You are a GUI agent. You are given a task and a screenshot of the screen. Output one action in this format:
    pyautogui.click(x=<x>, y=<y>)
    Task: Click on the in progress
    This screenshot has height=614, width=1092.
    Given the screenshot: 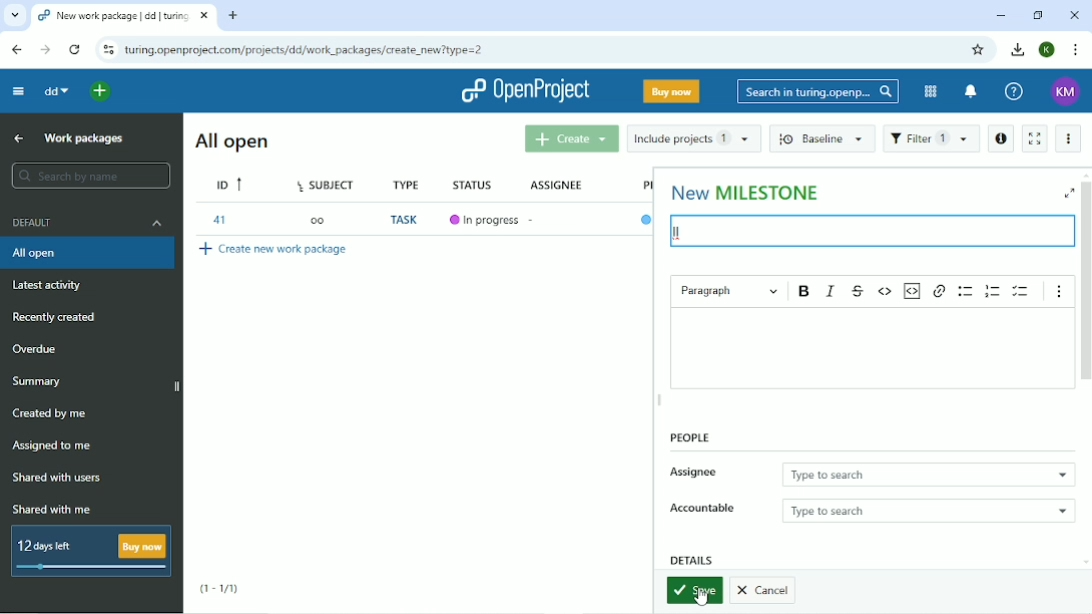 What is the action you would take?
    pyautogui.click(x=495, y=220)
    